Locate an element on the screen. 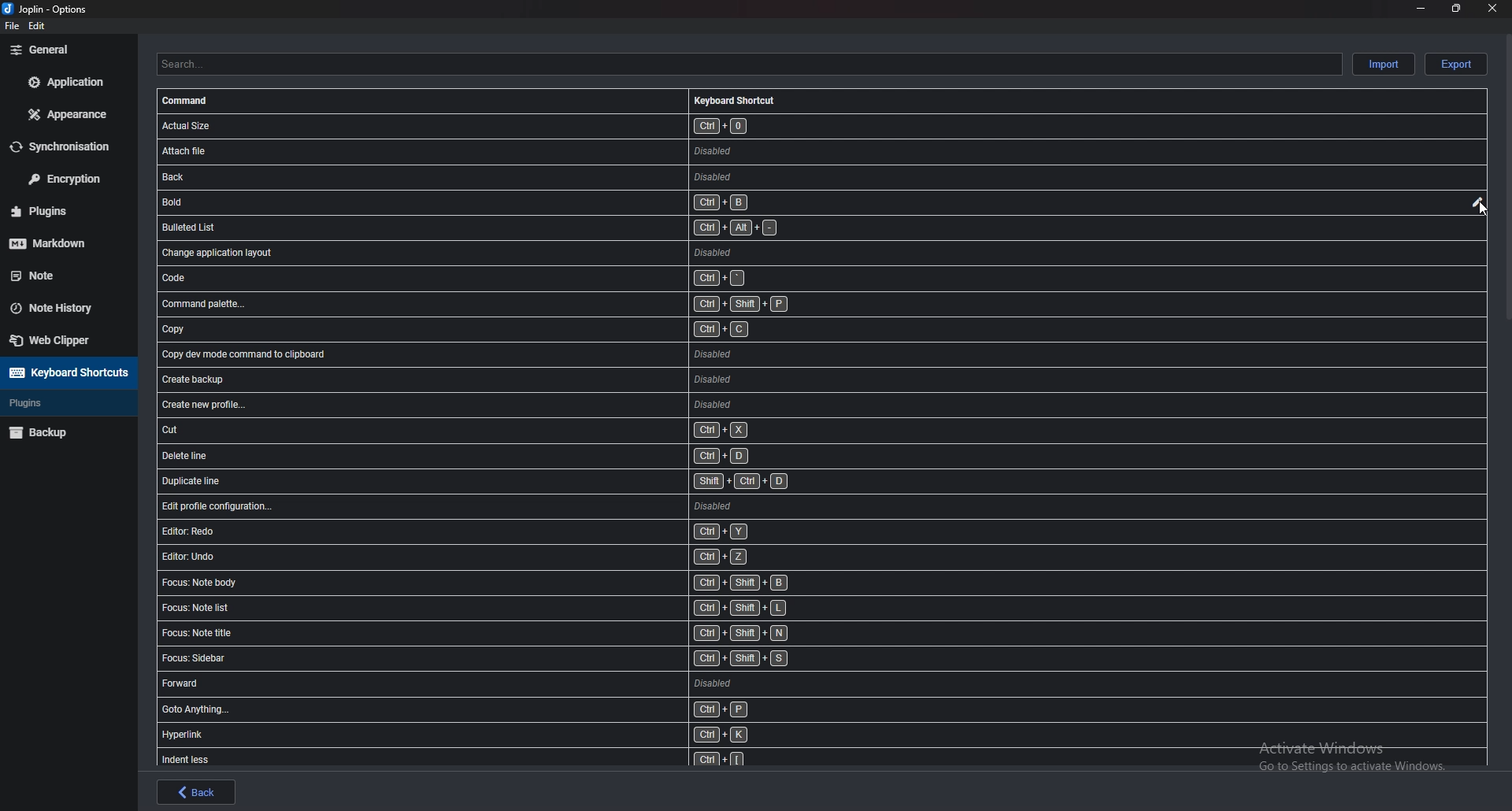 The height and width of the screenshot is (811, 1512). resize is located at coordinates (1456, 8).